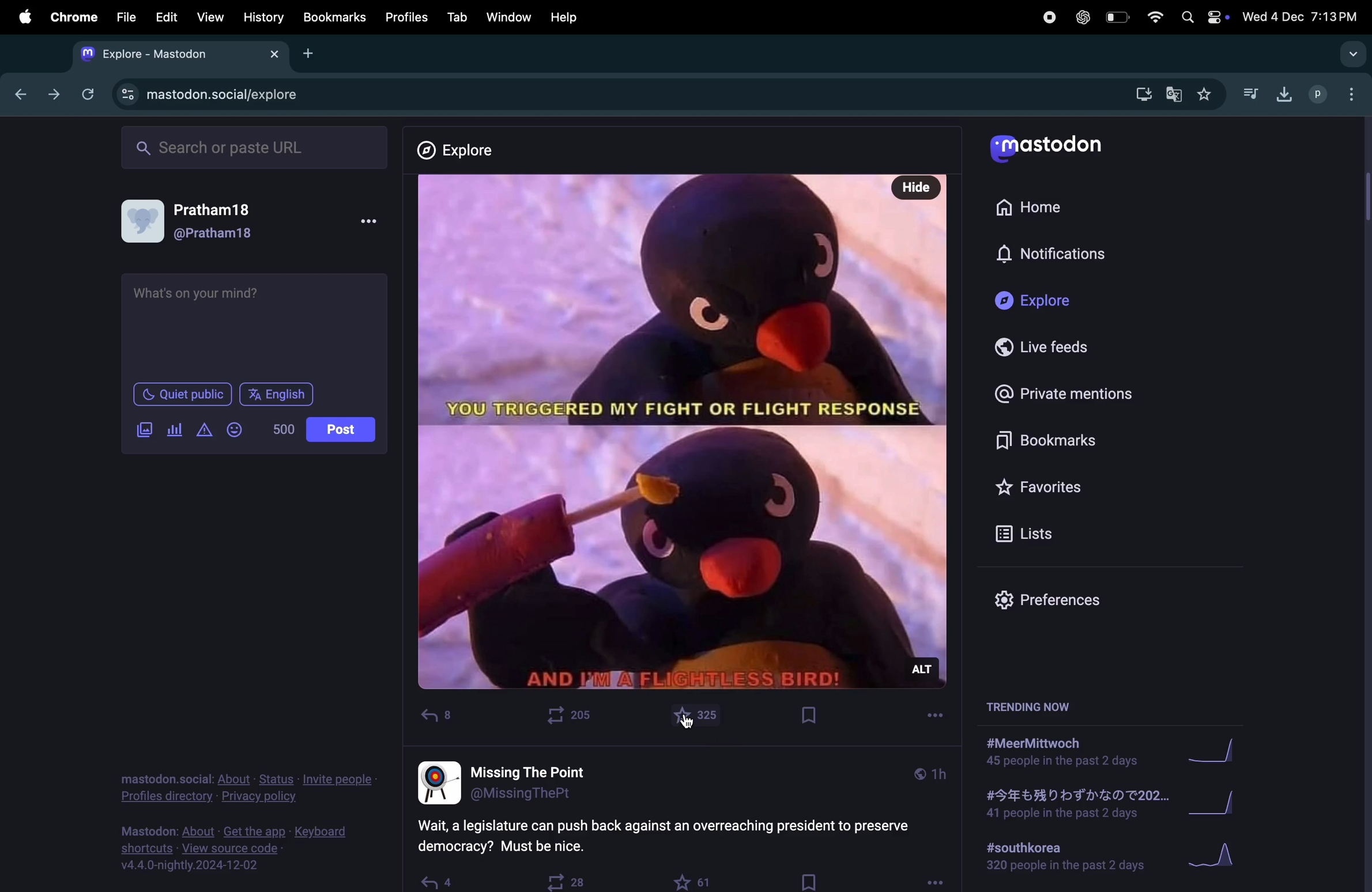 The height and width of the screenshot is (892, 1372). What do you see at coordinates (508, 16) in the screenshot?
I see `window` at bounding box center [508, 16].